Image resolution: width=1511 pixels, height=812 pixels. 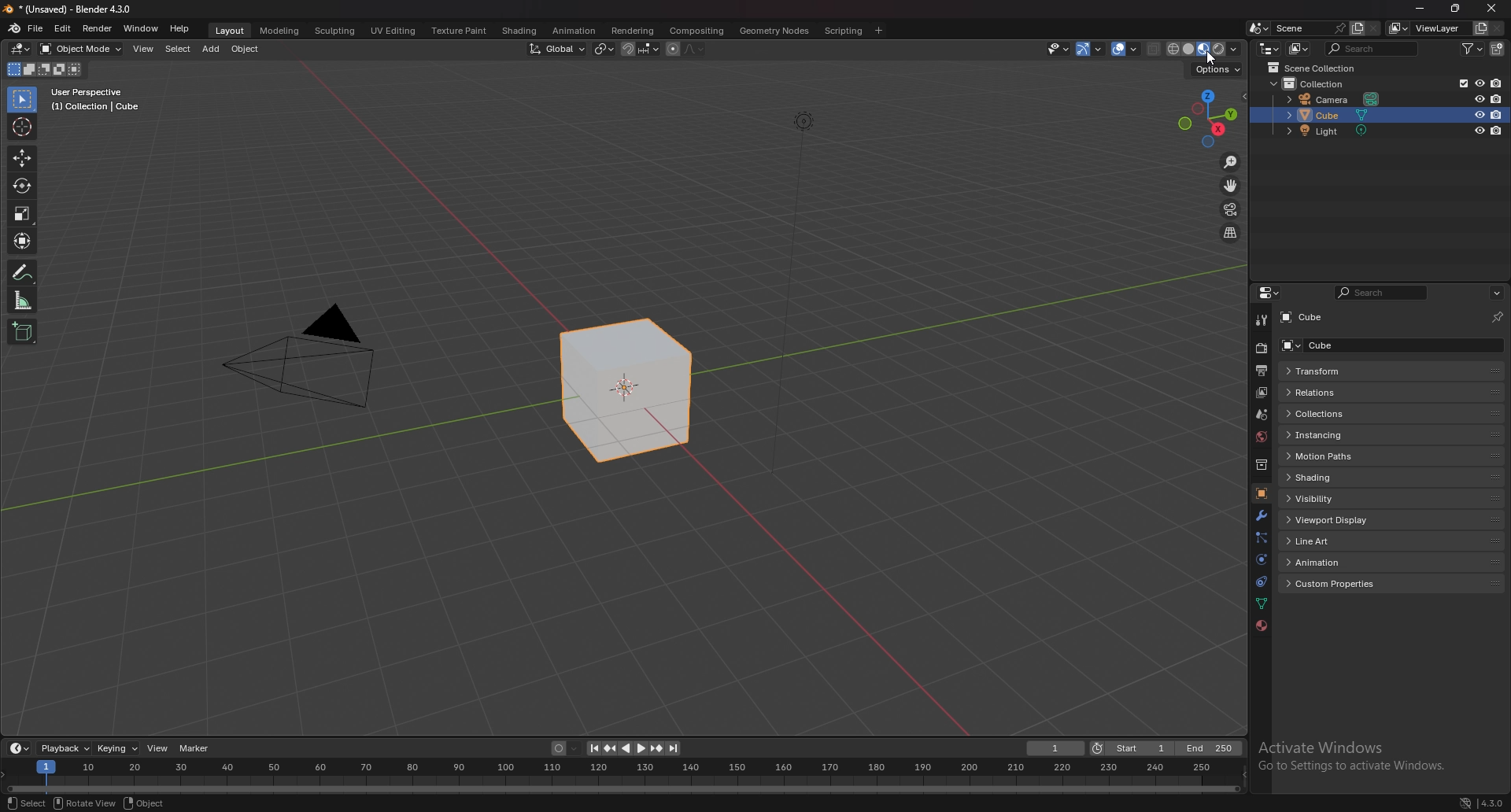 I want to click on current frame, so click(x=1057, y=748).